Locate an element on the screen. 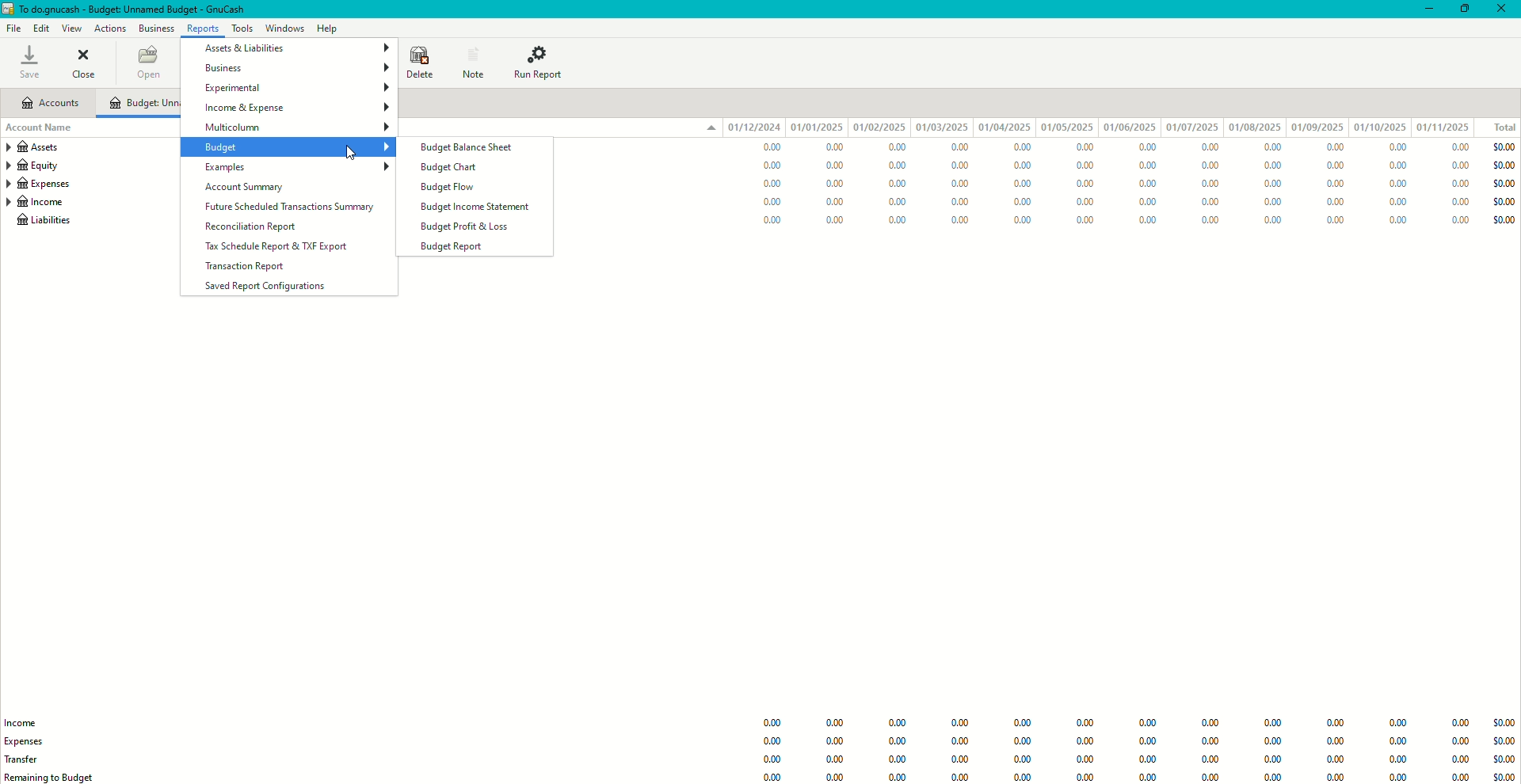 Image resolution: width=1521 pixels, height=784 pixels. 0.00 is located at coordinates (1268, 165).